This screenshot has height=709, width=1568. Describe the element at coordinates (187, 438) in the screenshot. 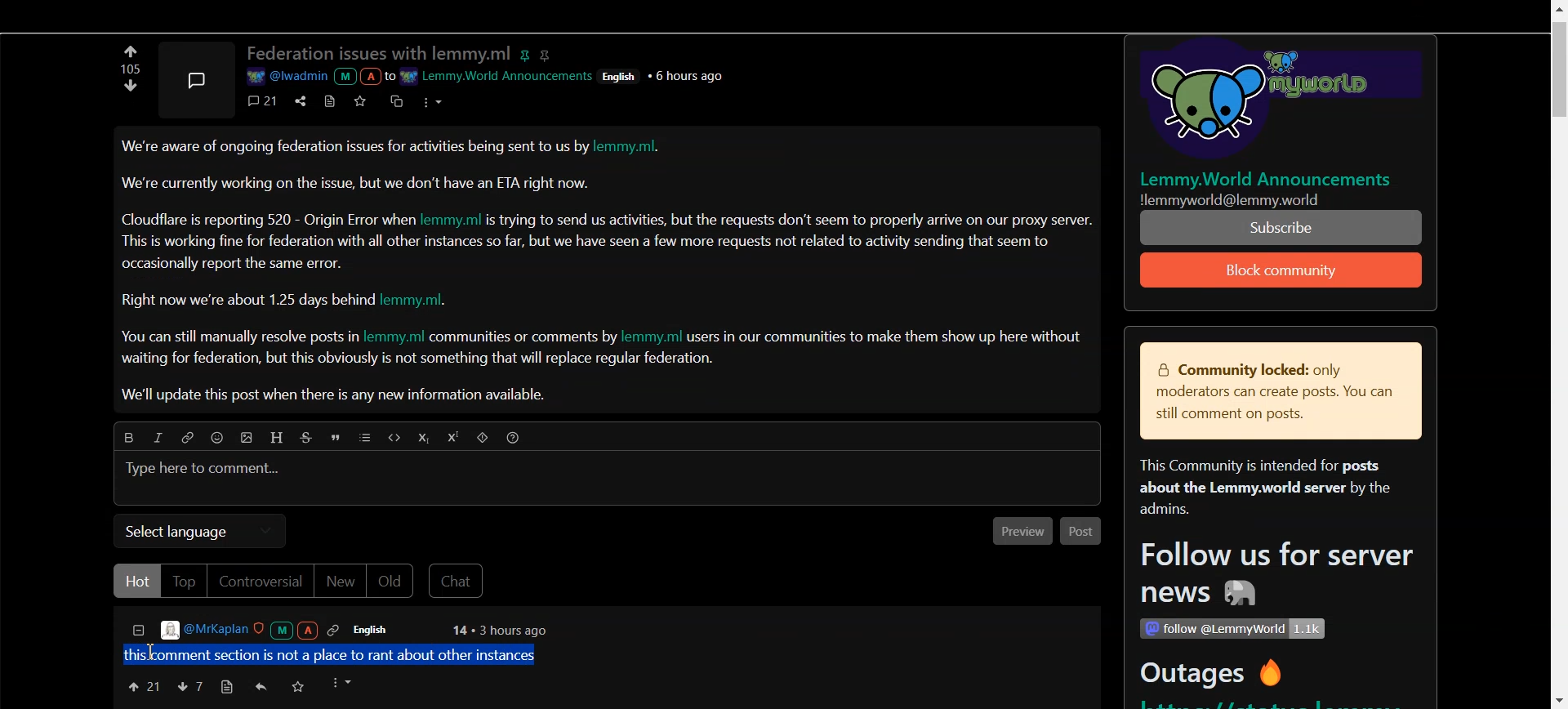

I see `Hyperlink` at that location.